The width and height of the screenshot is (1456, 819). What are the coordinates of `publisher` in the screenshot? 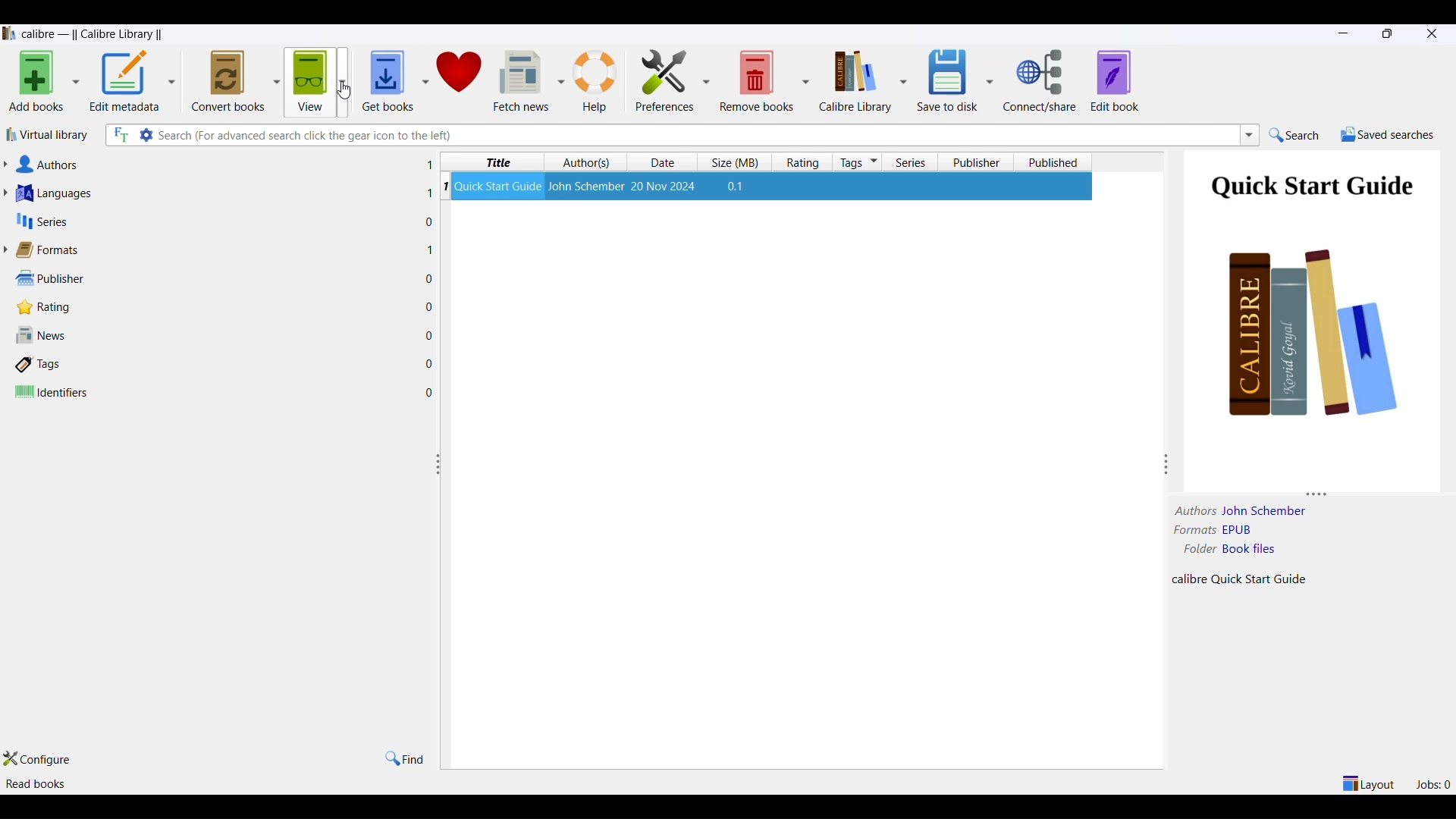 It's located at (224, 278).